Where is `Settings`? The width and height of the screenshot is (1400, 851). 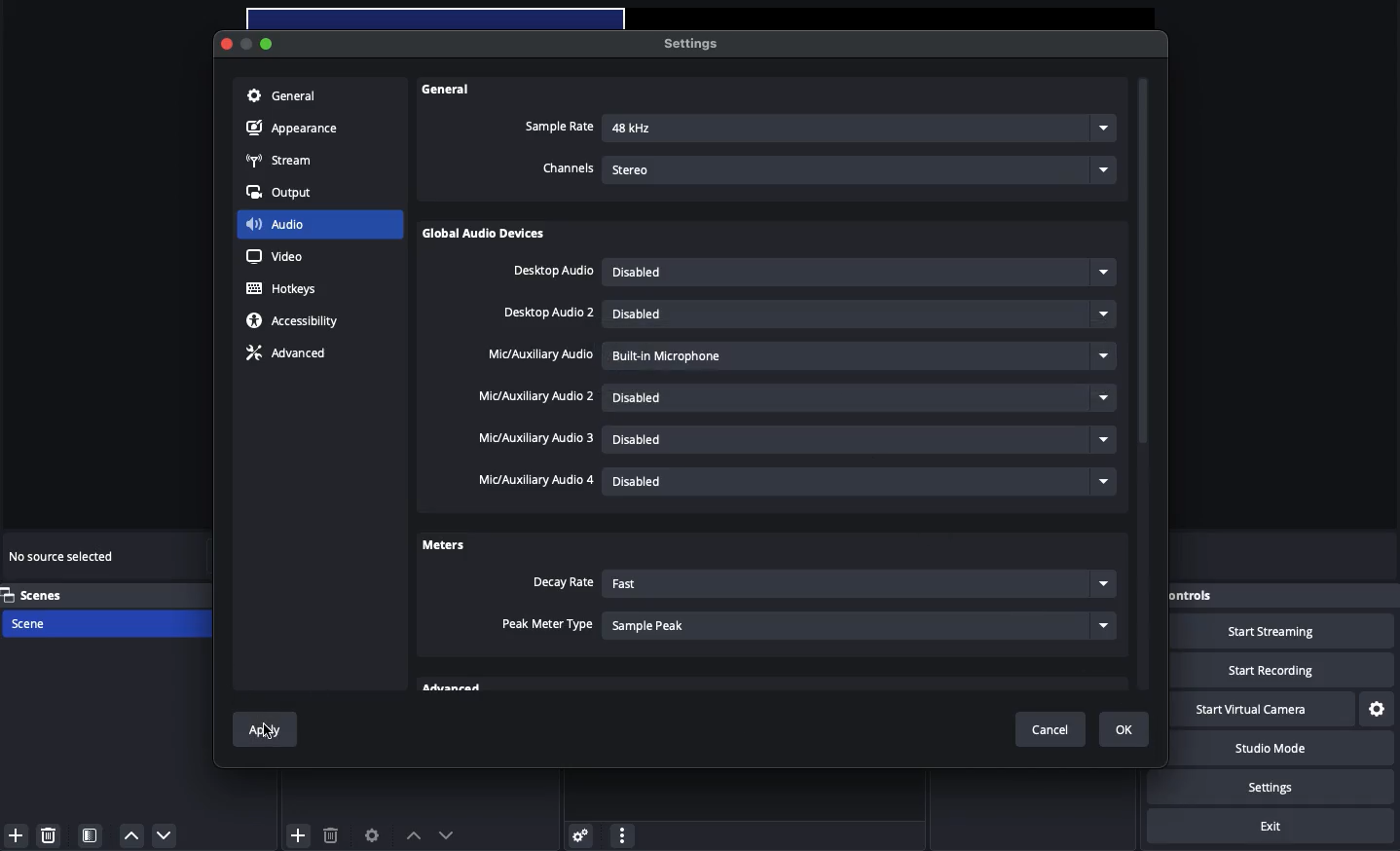 Settings is located at coordinates (1378, 710).